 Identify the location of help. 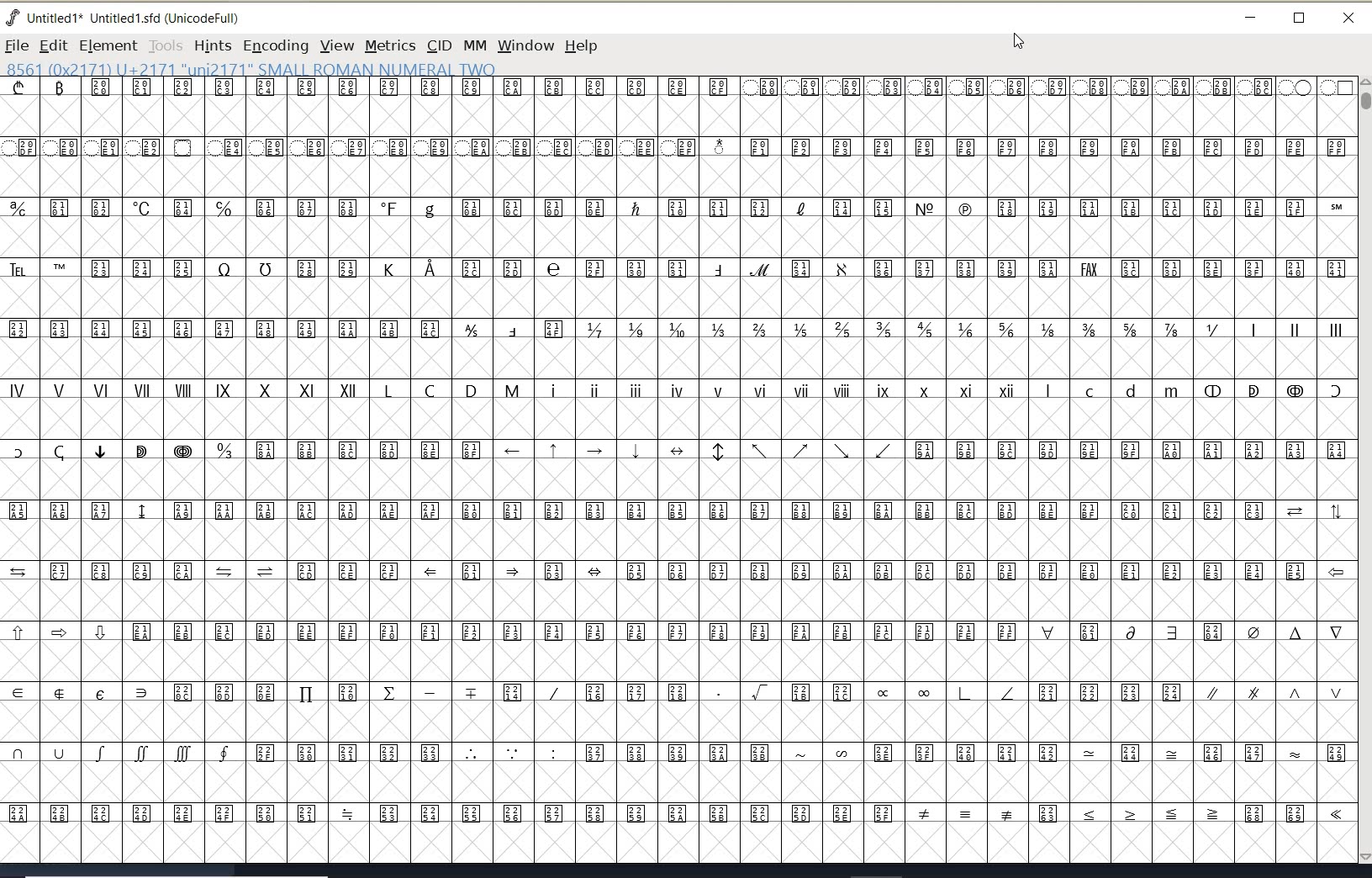
(584, 47).